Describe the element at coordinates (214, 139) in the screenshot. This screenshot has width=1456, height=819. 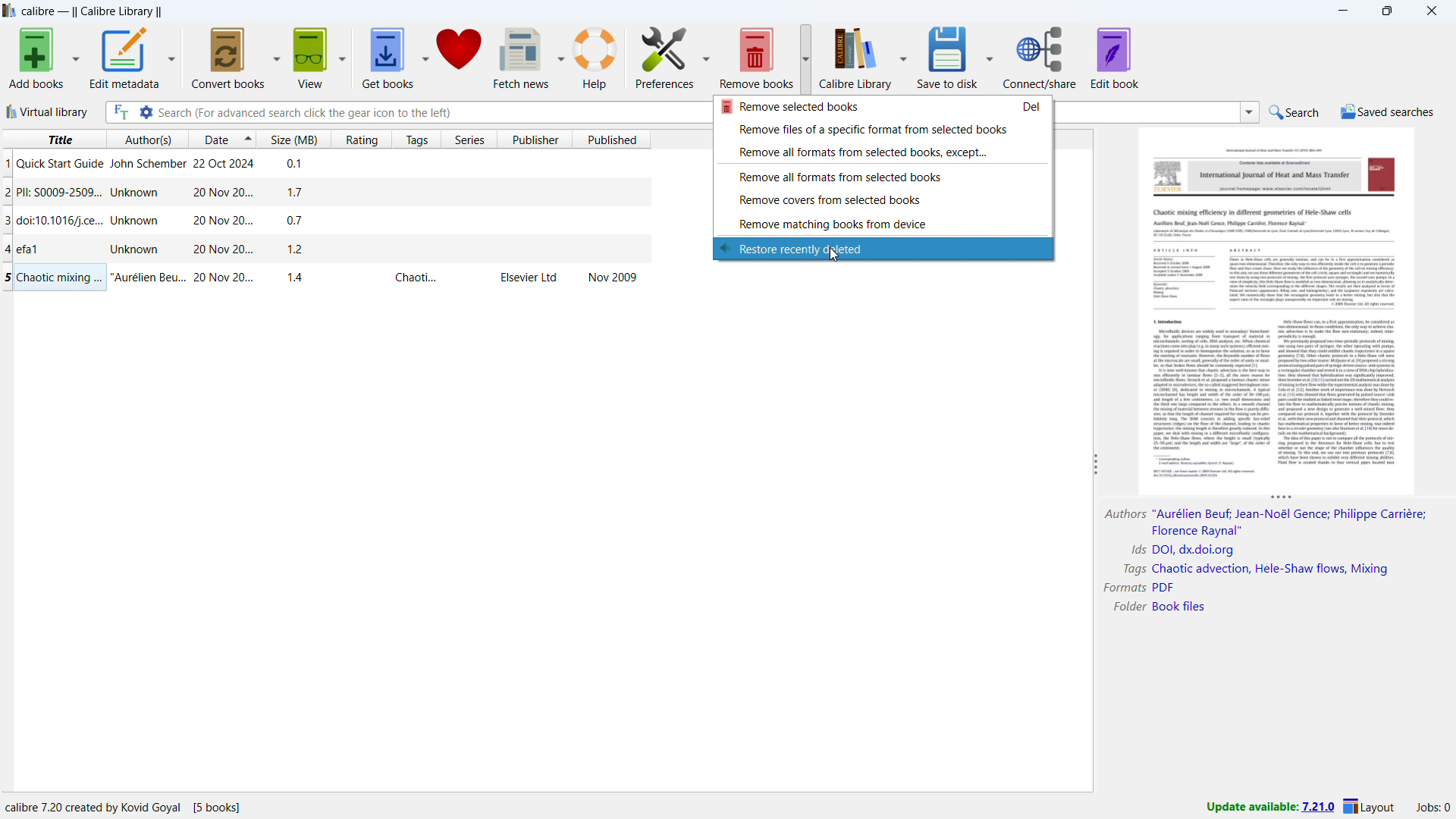
I see `sort by date` at that location.